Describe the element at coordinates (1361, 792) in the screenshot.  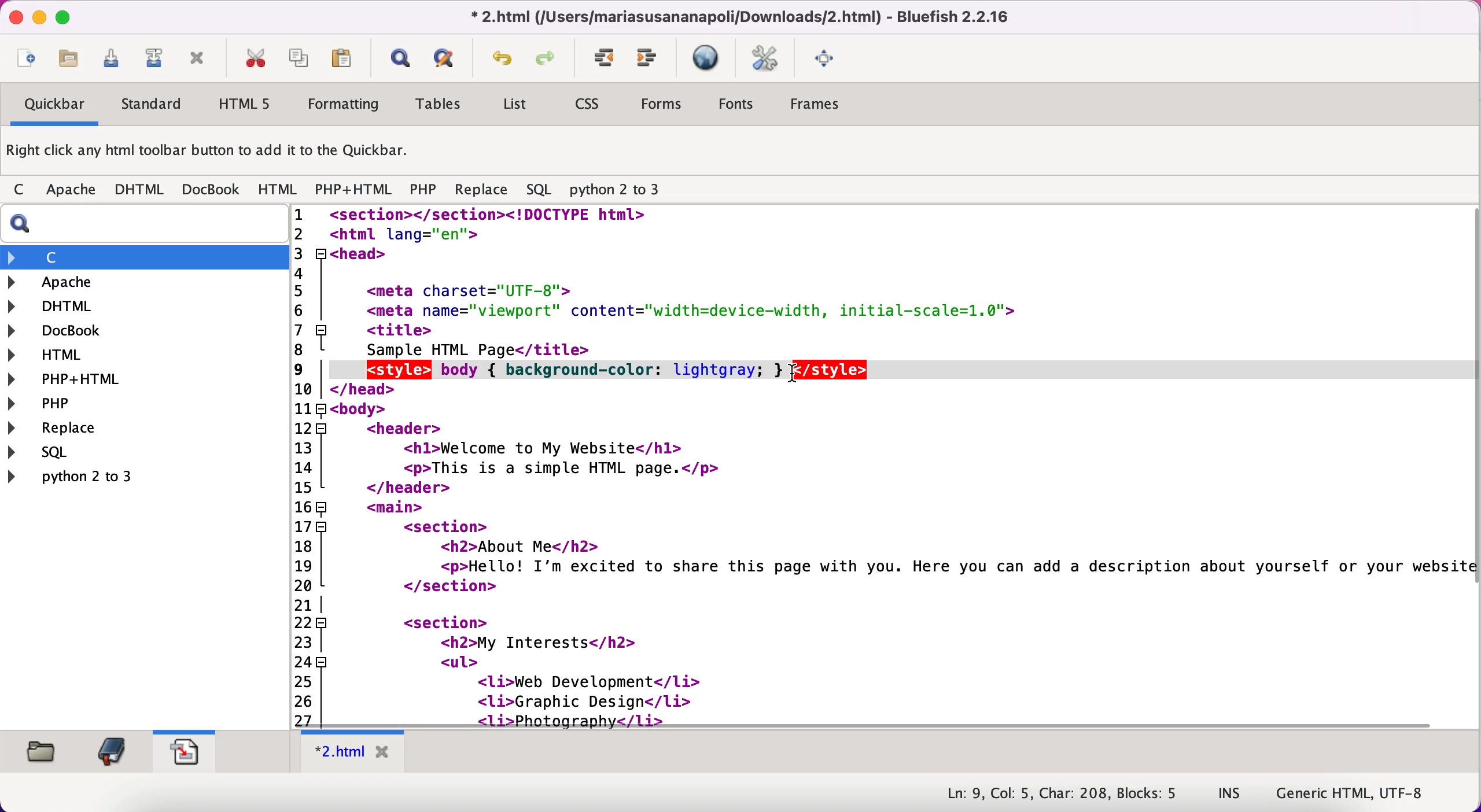
I see `generic html, utf-8` at that location.